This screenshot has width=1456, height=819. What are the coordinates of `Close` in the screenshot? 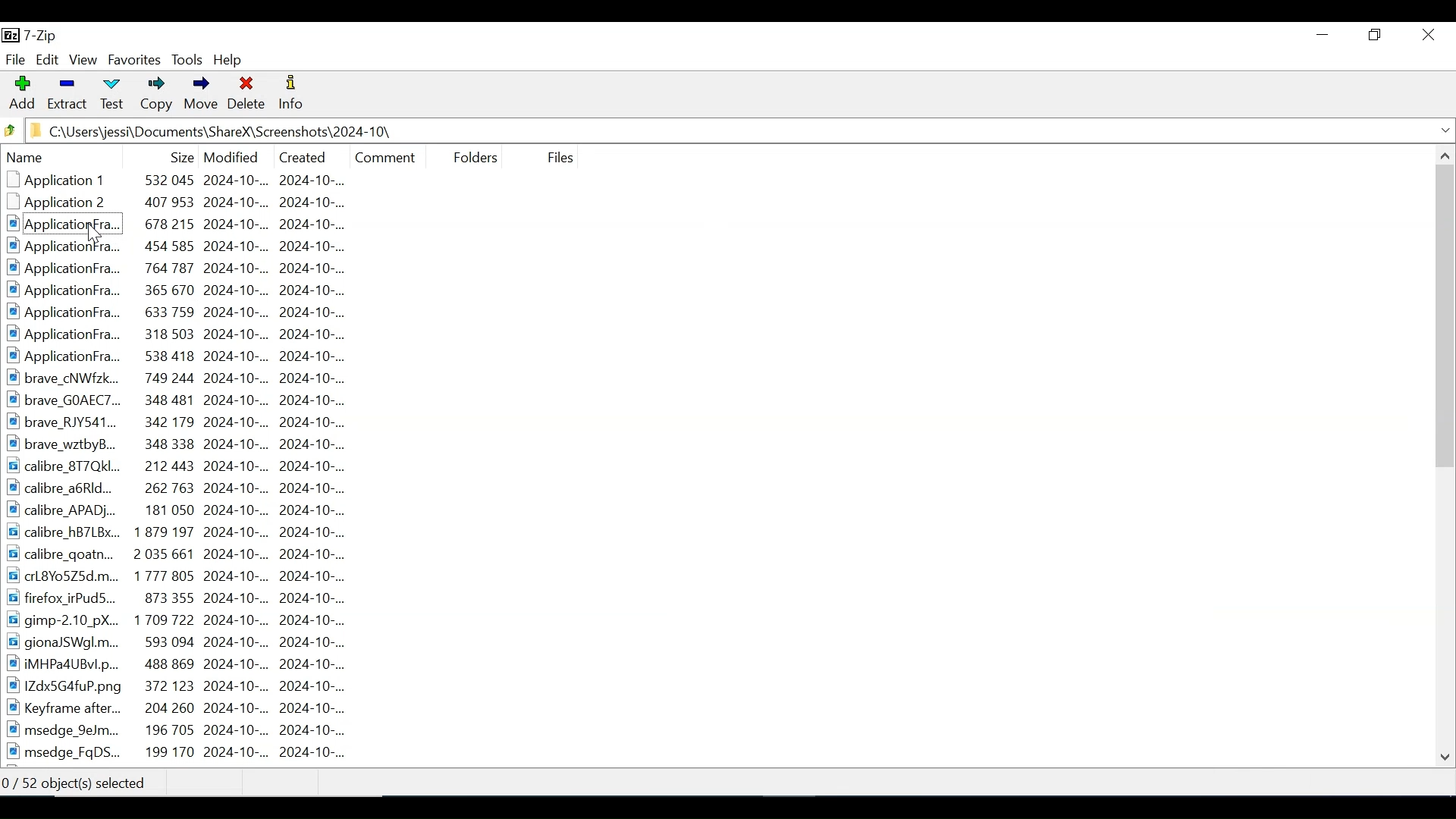 It's located at (1427, 35).